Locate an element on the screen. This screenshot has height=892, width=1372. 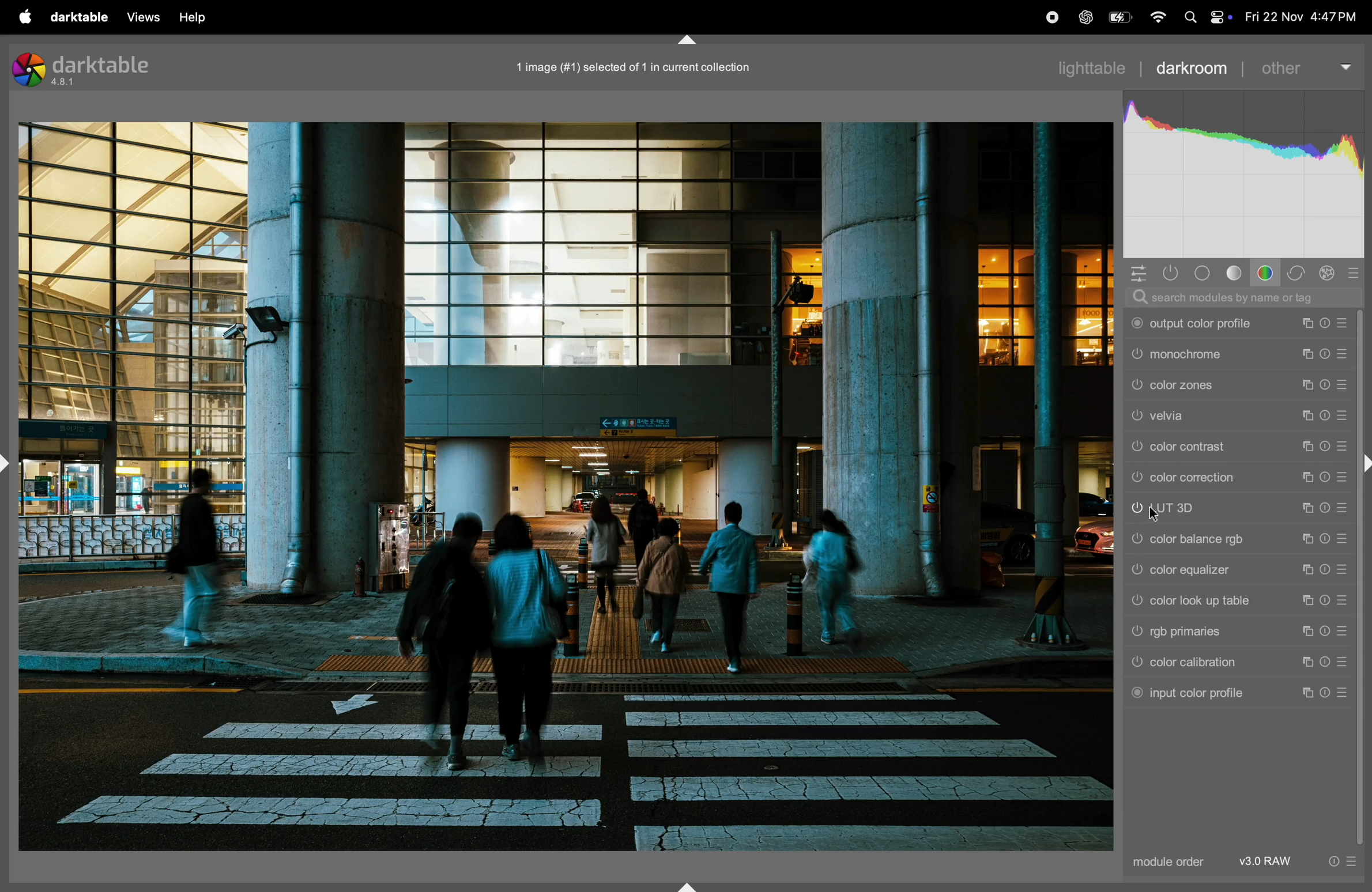
color is located at coordinates (1267, 273).